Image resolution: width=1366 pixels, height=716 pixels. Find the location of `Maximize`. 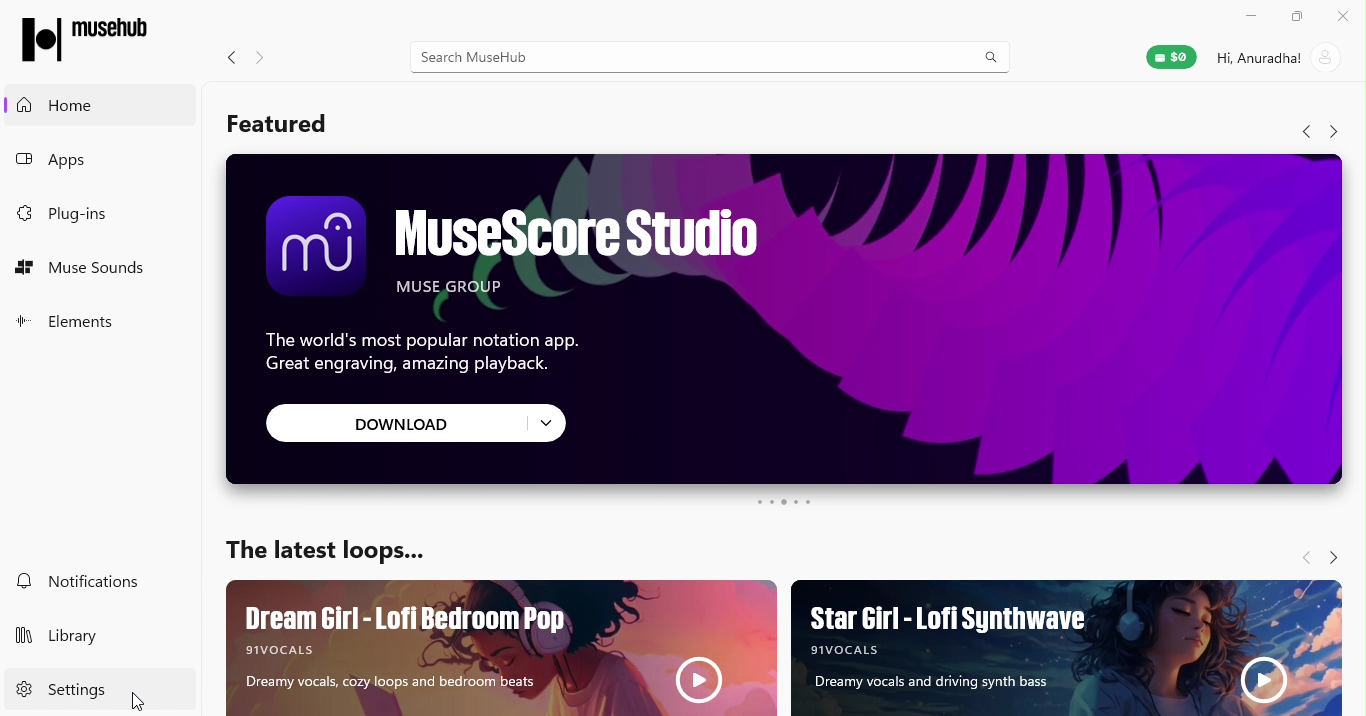

Maximize is located at coordinates (1295, 17).